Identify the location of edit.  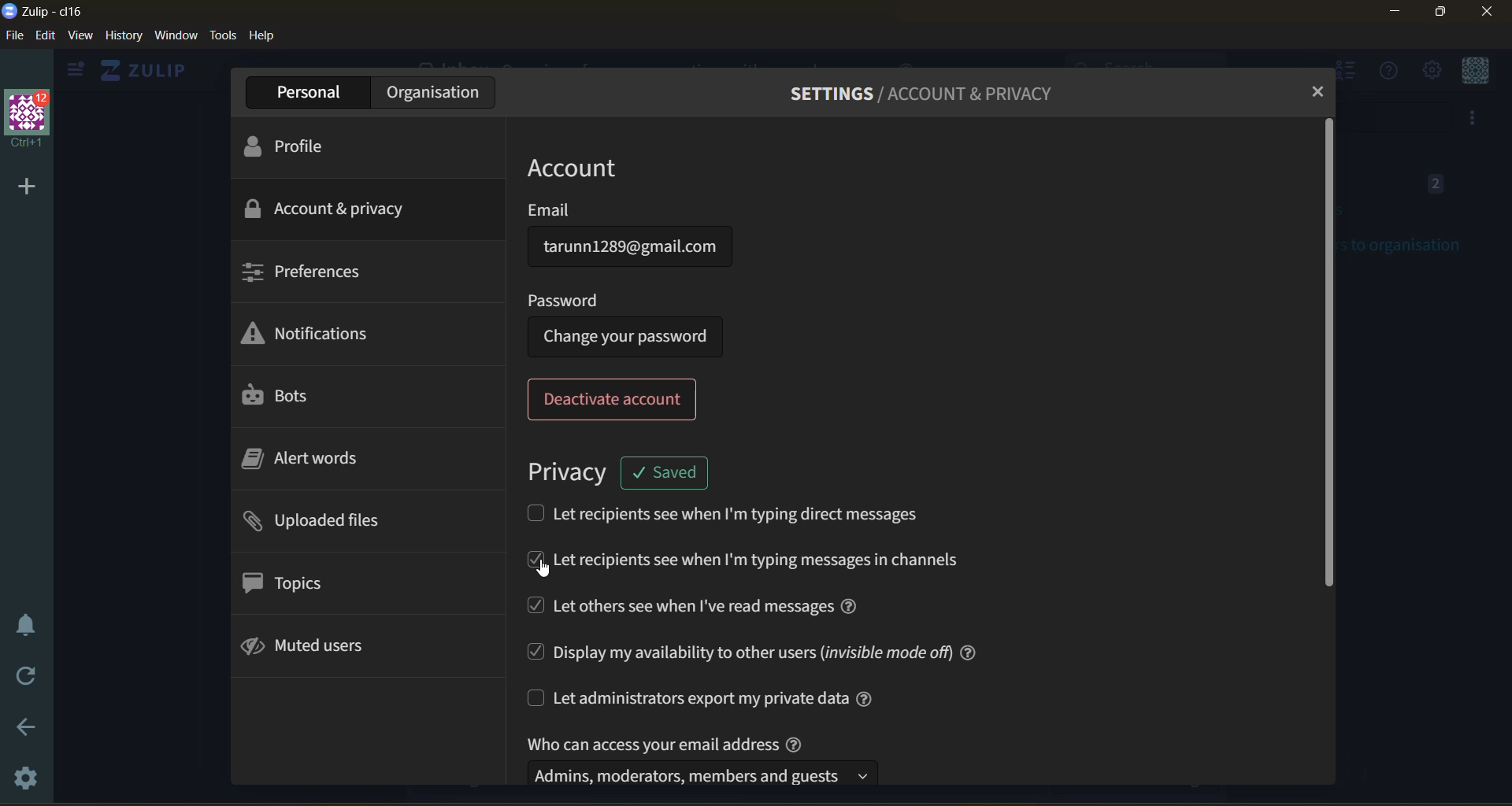
(46, 35).